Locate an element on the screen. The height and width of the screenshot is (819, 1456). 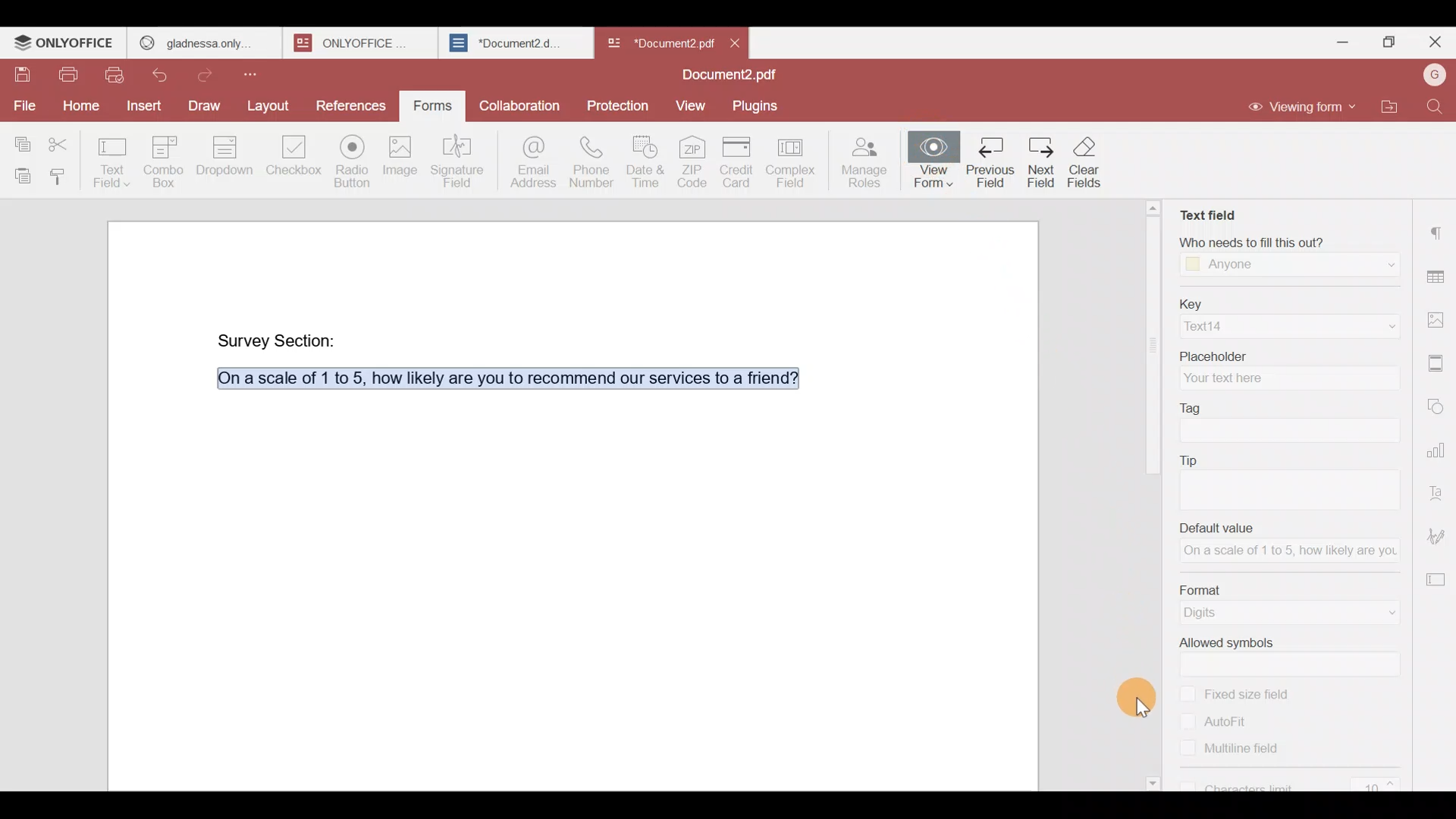
Open file location is located at coordinates (1396, 108).